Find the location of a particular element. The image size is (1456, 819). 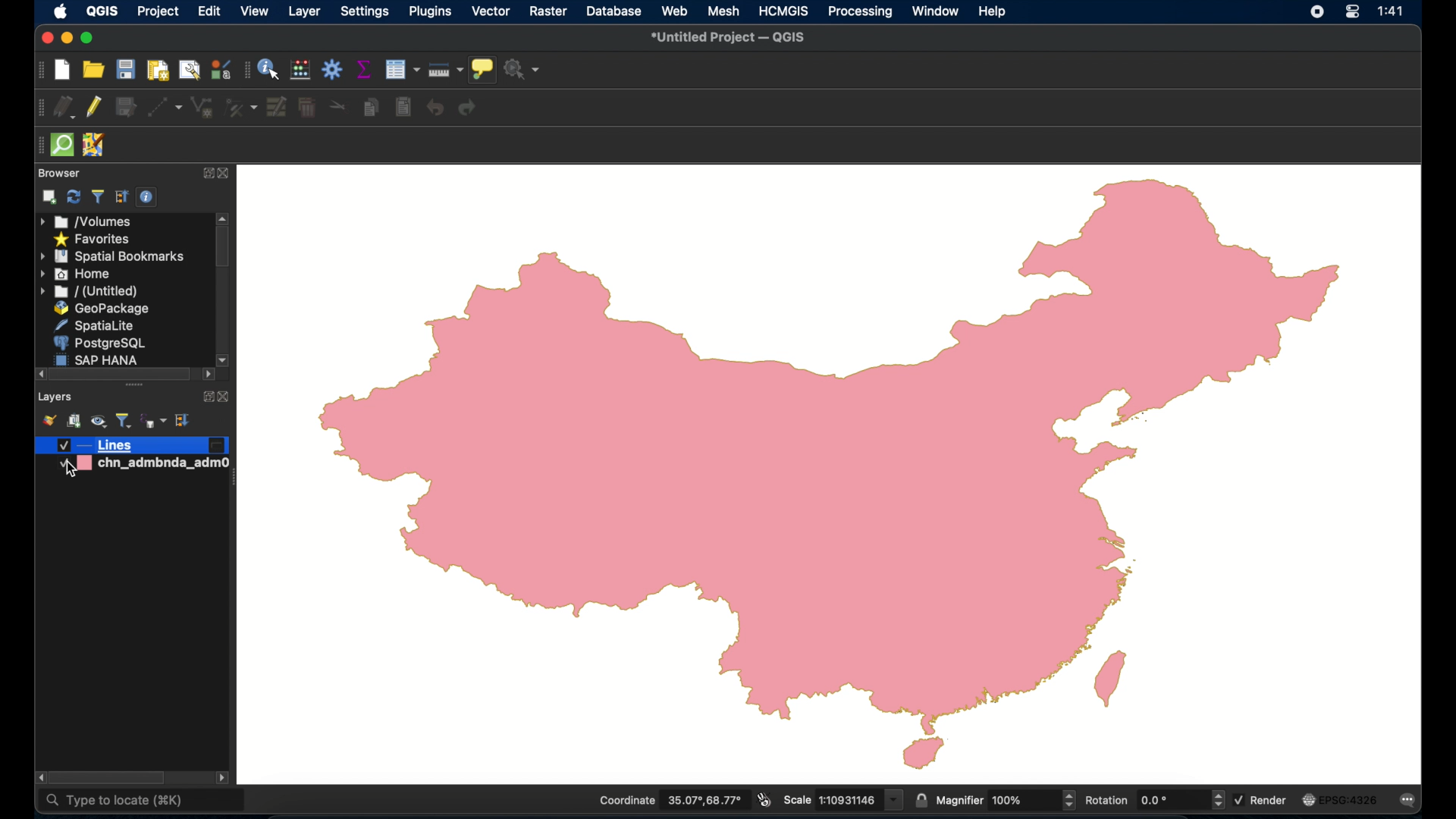

lines layer 2 is located at coordinates (132, 446).